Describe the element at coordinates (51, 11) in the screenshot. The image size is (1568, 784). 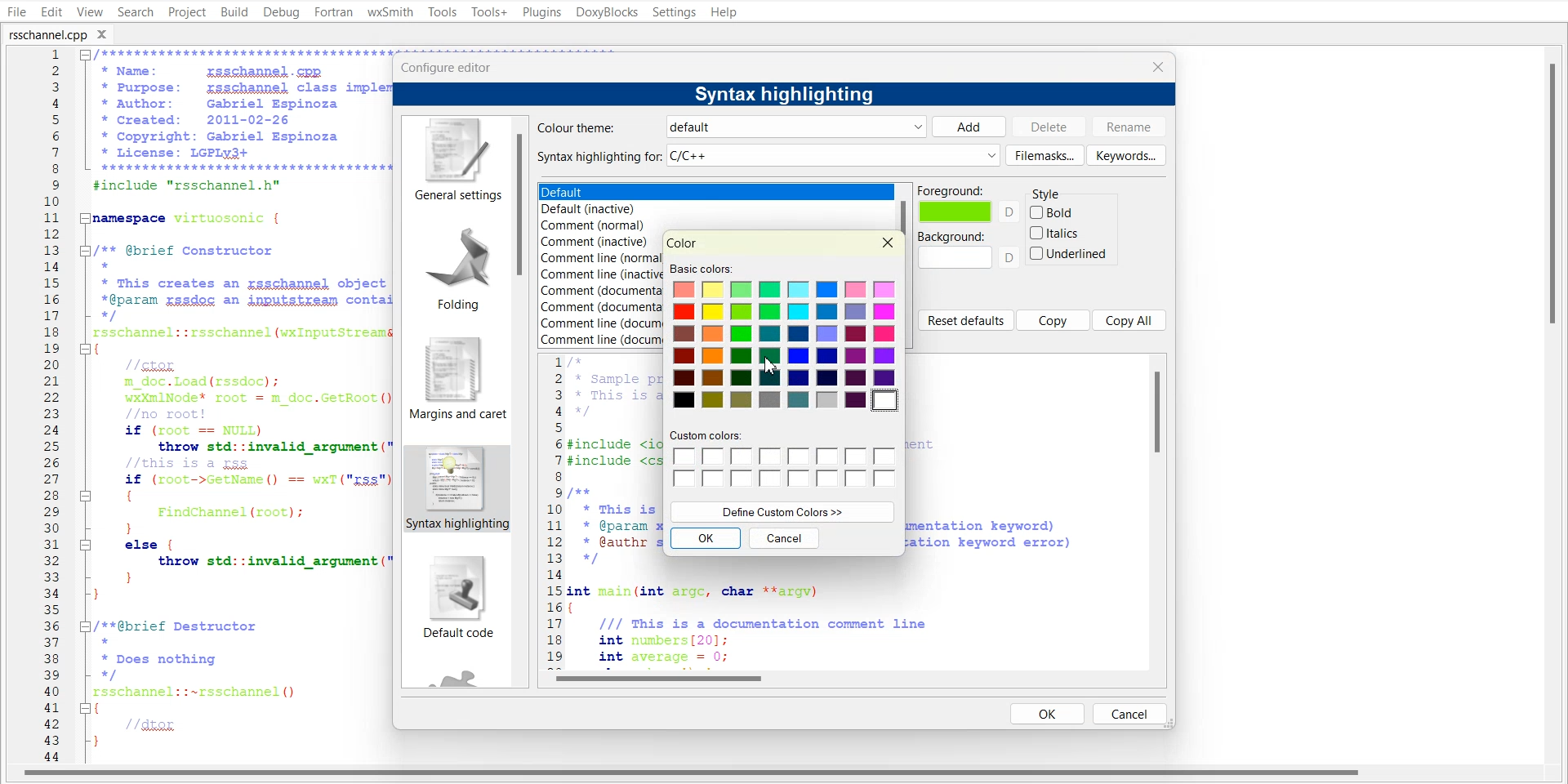
I see `Edit` at that location.